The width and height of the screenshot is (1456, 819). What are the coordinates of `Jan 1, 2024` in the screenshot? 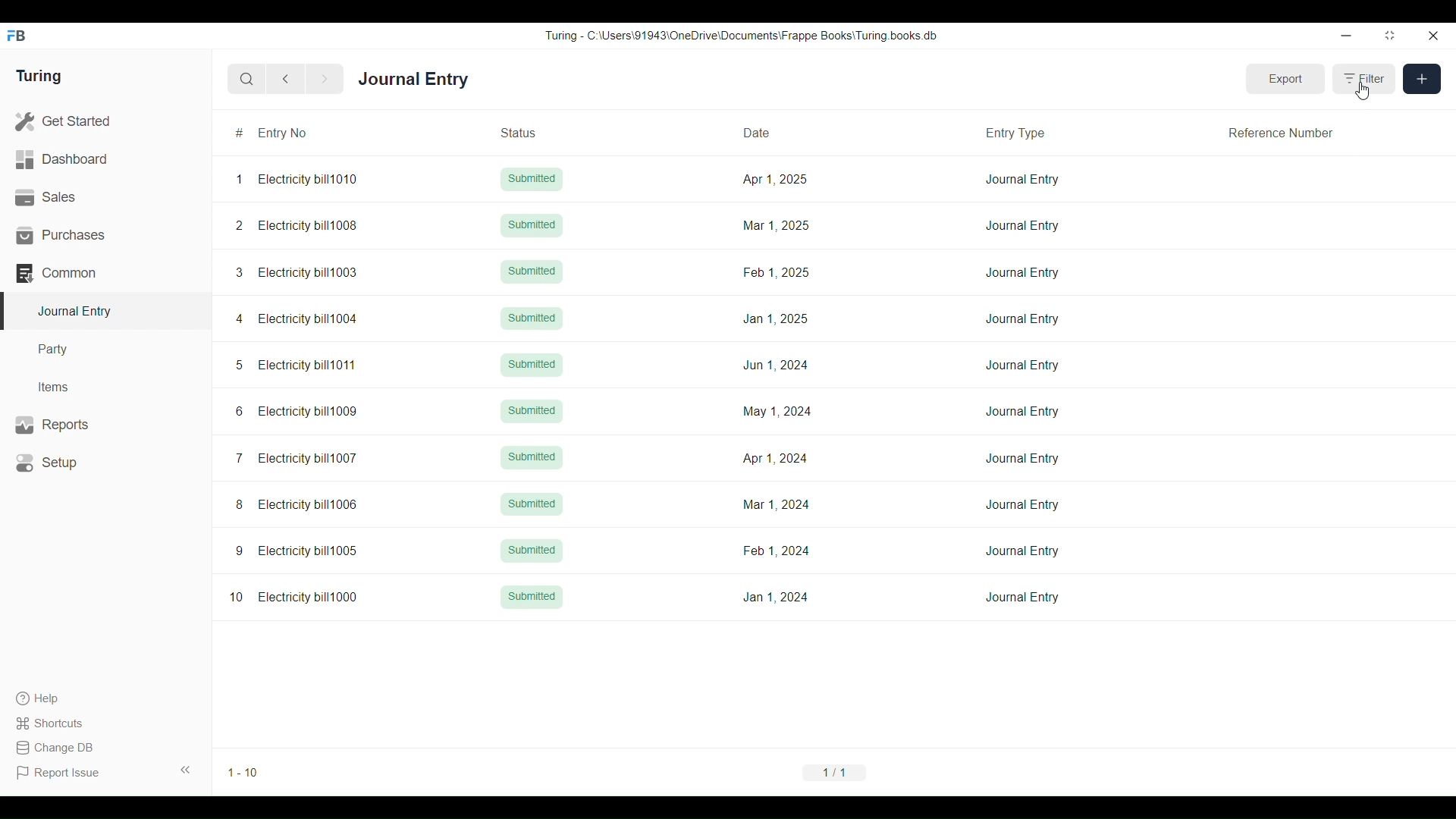 It's located at (775, 597).